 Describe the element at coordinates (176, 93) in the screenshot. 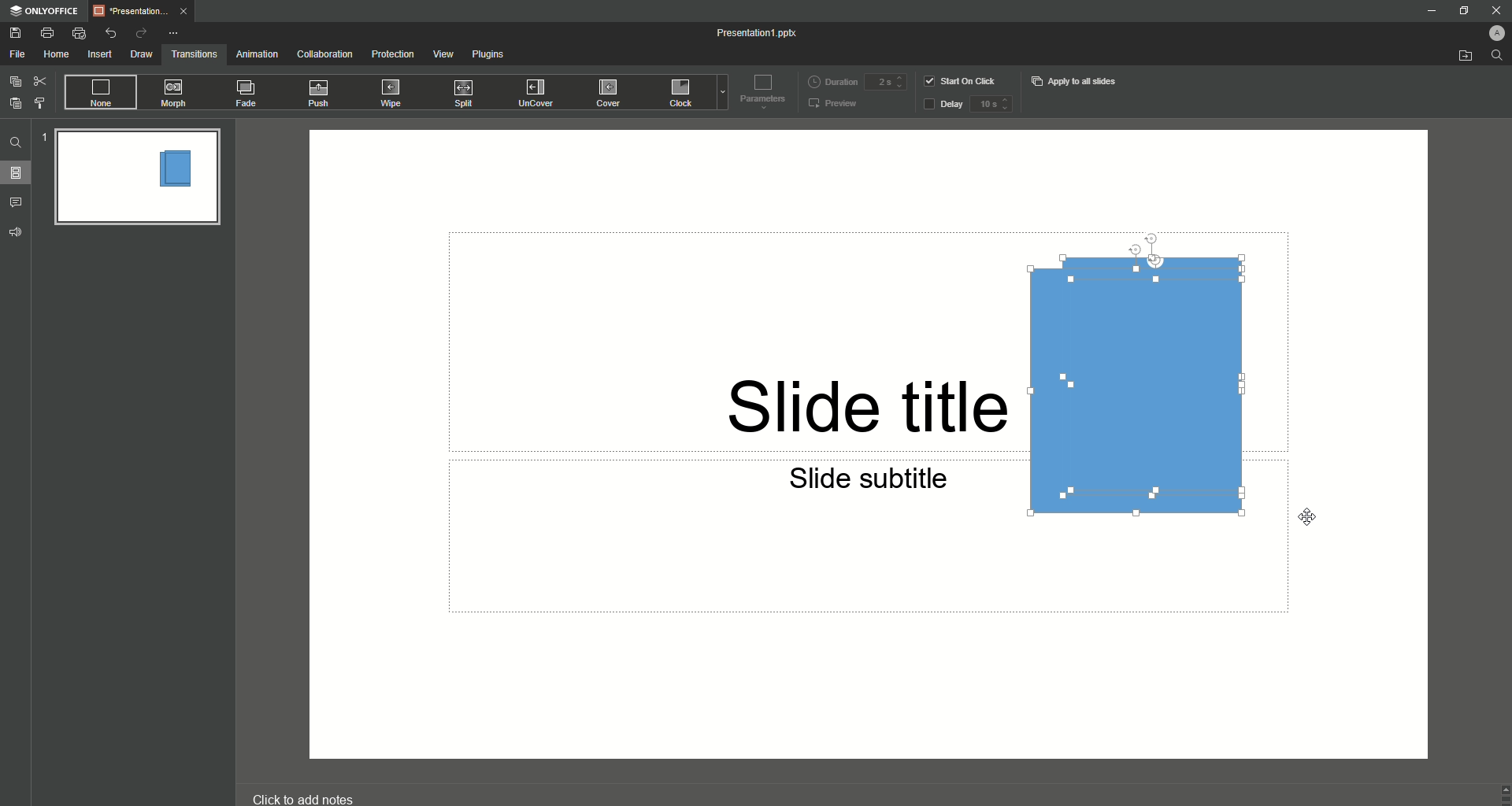

I see `Morph` at that location.